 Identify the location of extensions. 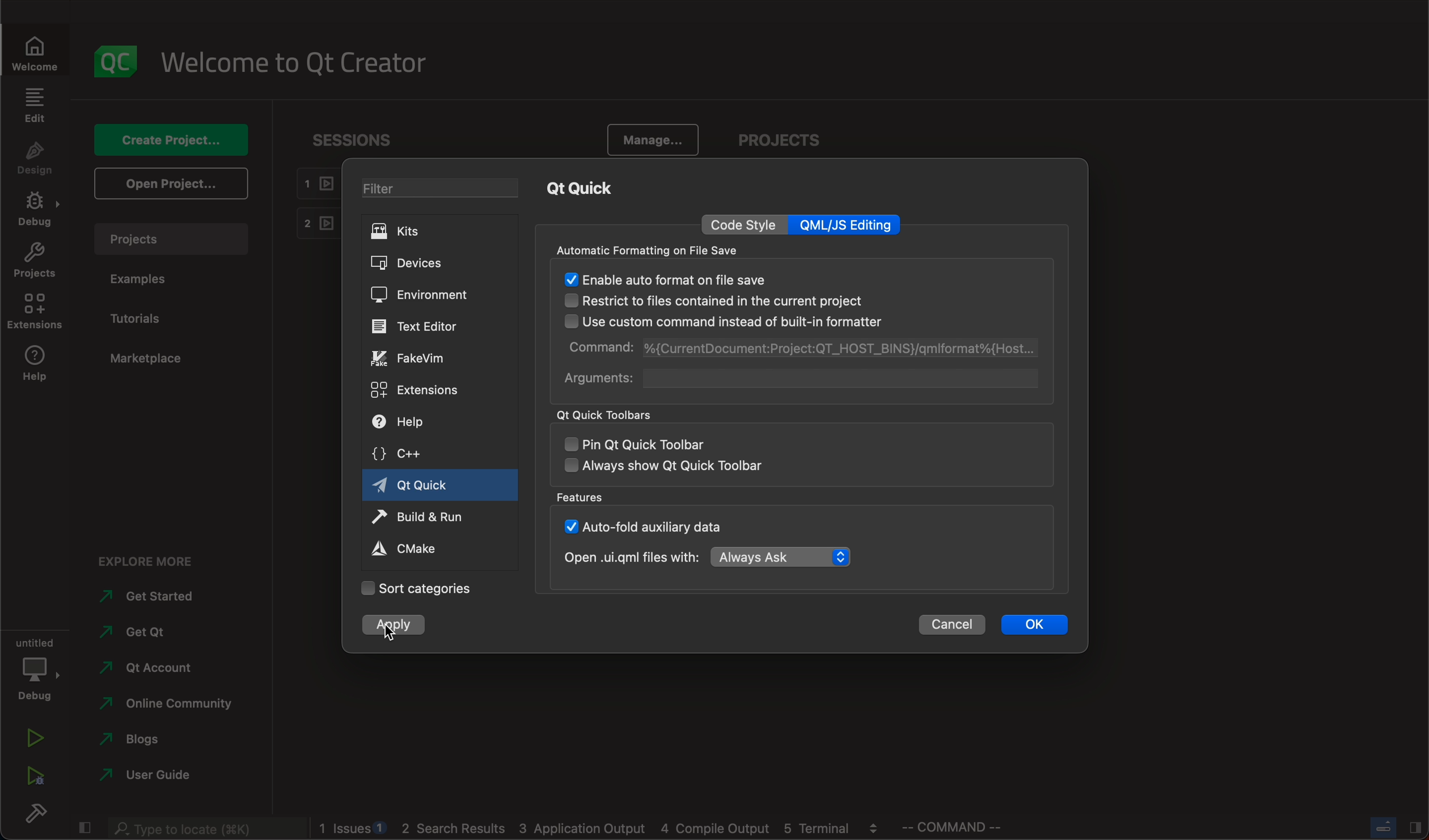
(33, 311).